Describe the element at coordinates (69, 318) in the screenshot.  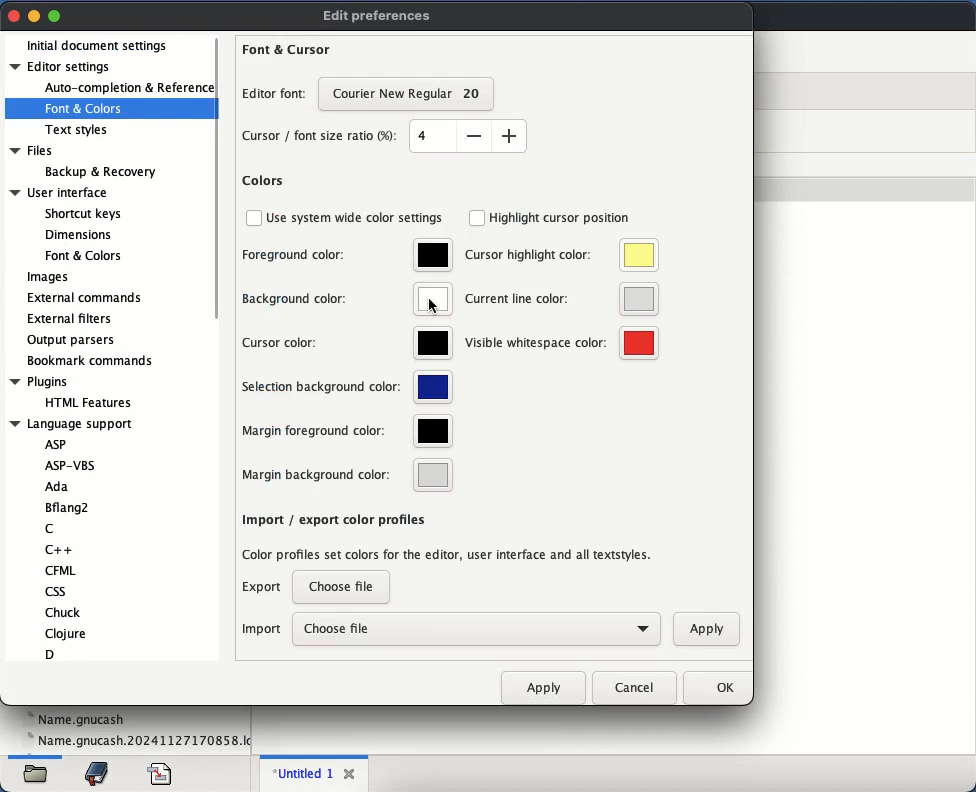
I see `external filters` at that location.